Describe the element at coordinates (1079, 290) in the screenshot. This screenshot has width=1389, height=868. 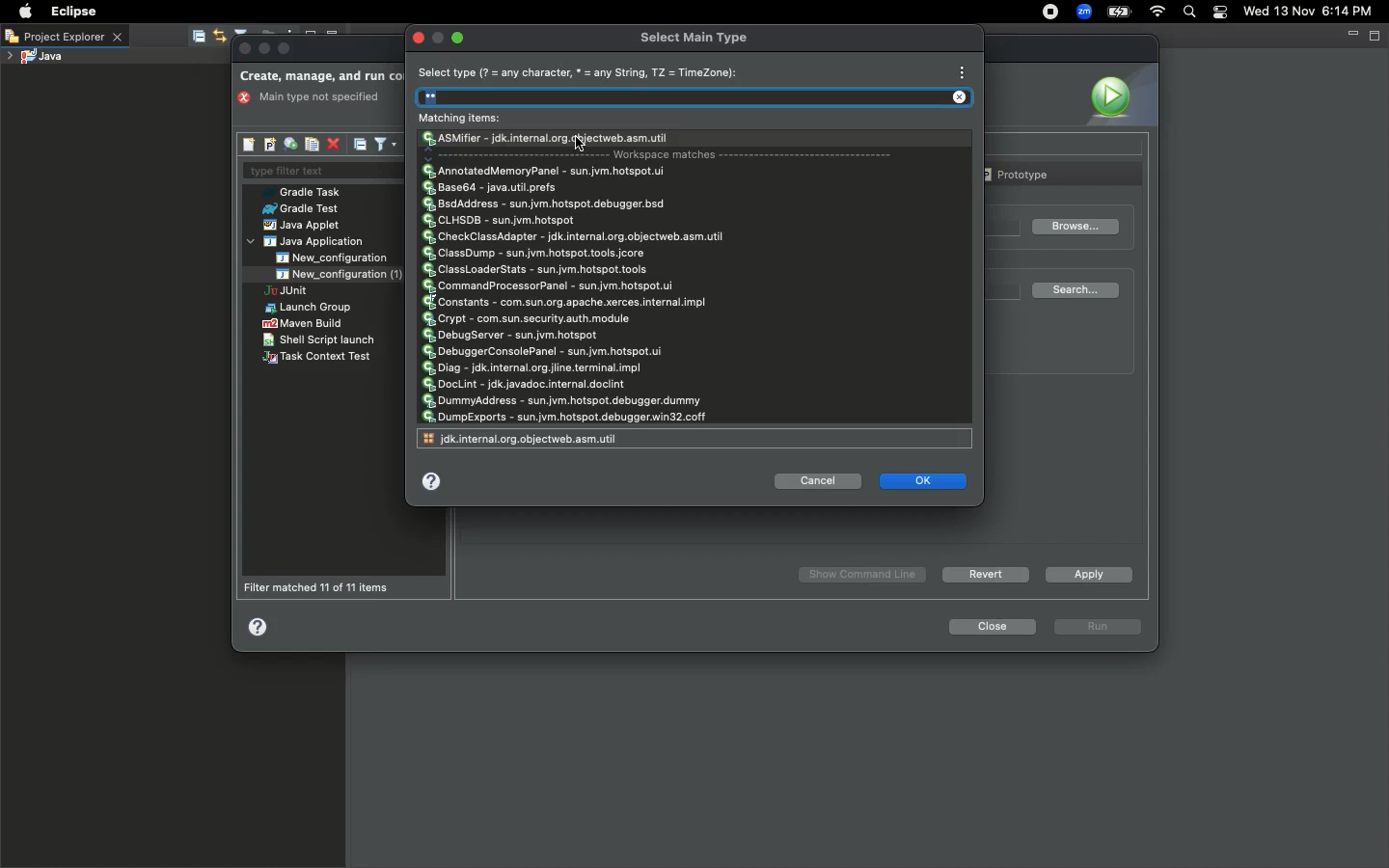
I see `Search...` at that location.